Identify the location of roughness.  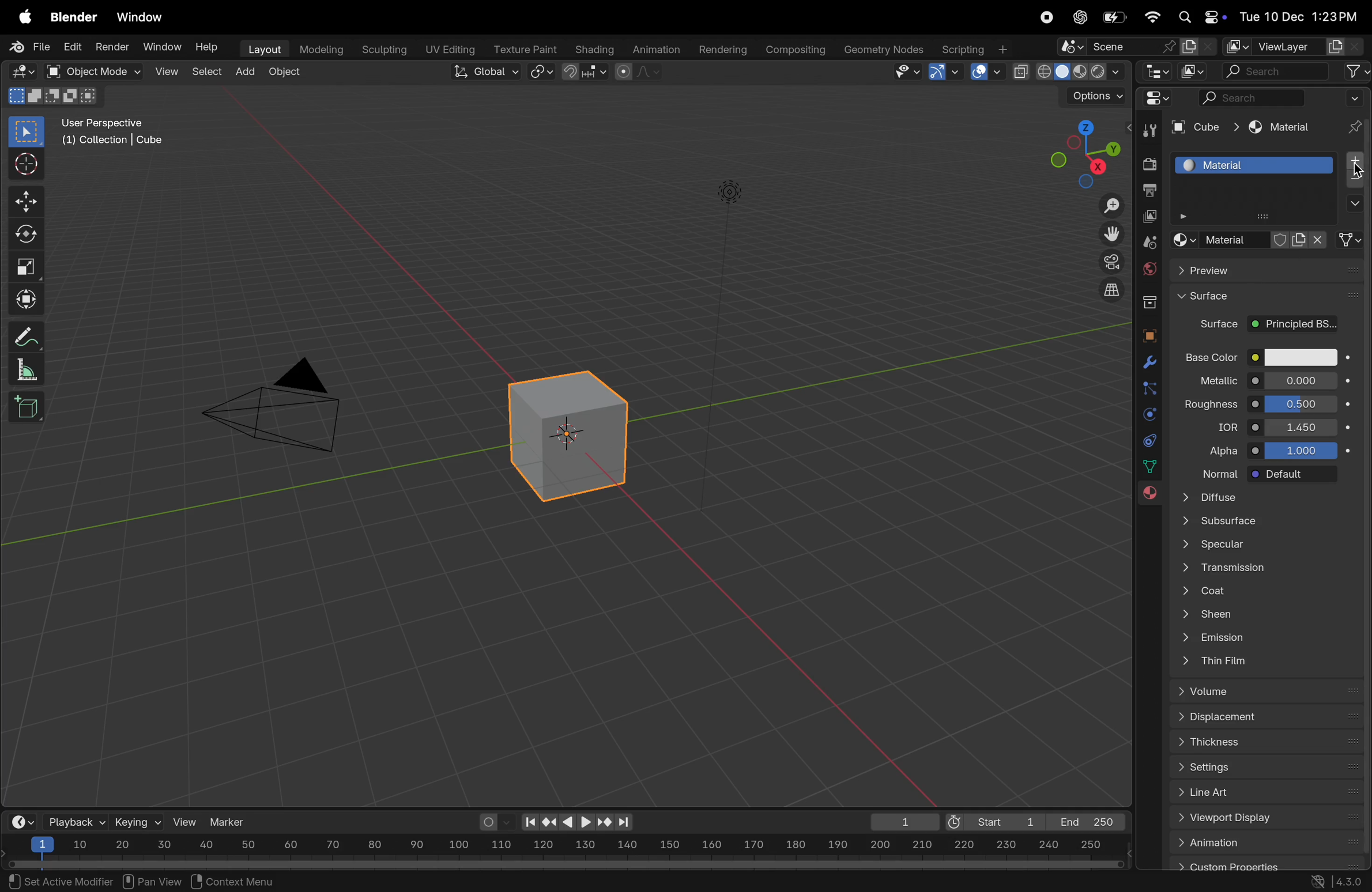
(1213, 409).